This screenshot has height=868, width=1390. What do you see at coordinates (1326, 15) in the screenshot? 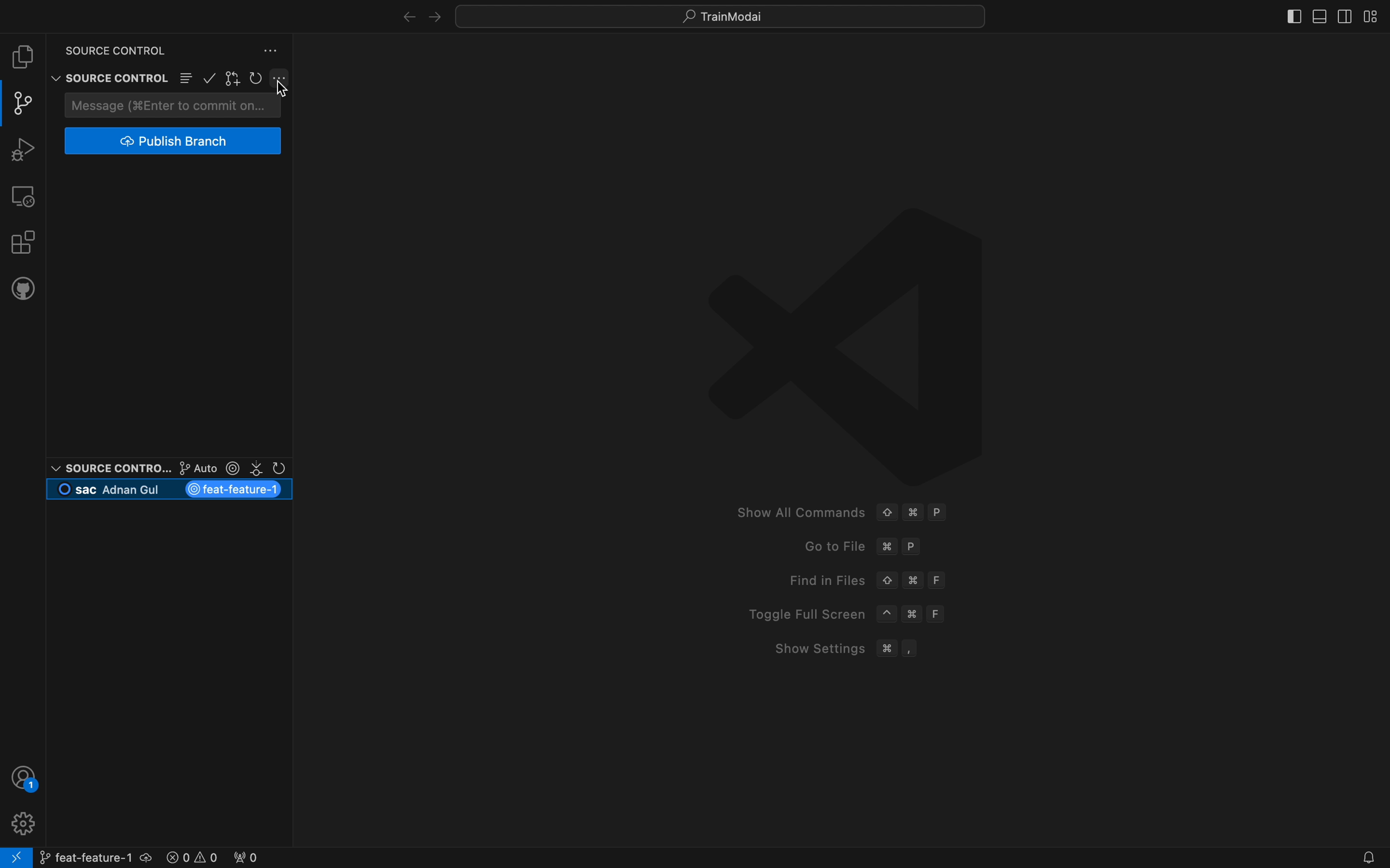
I see `layouts` at bounding box center [1326, 15].